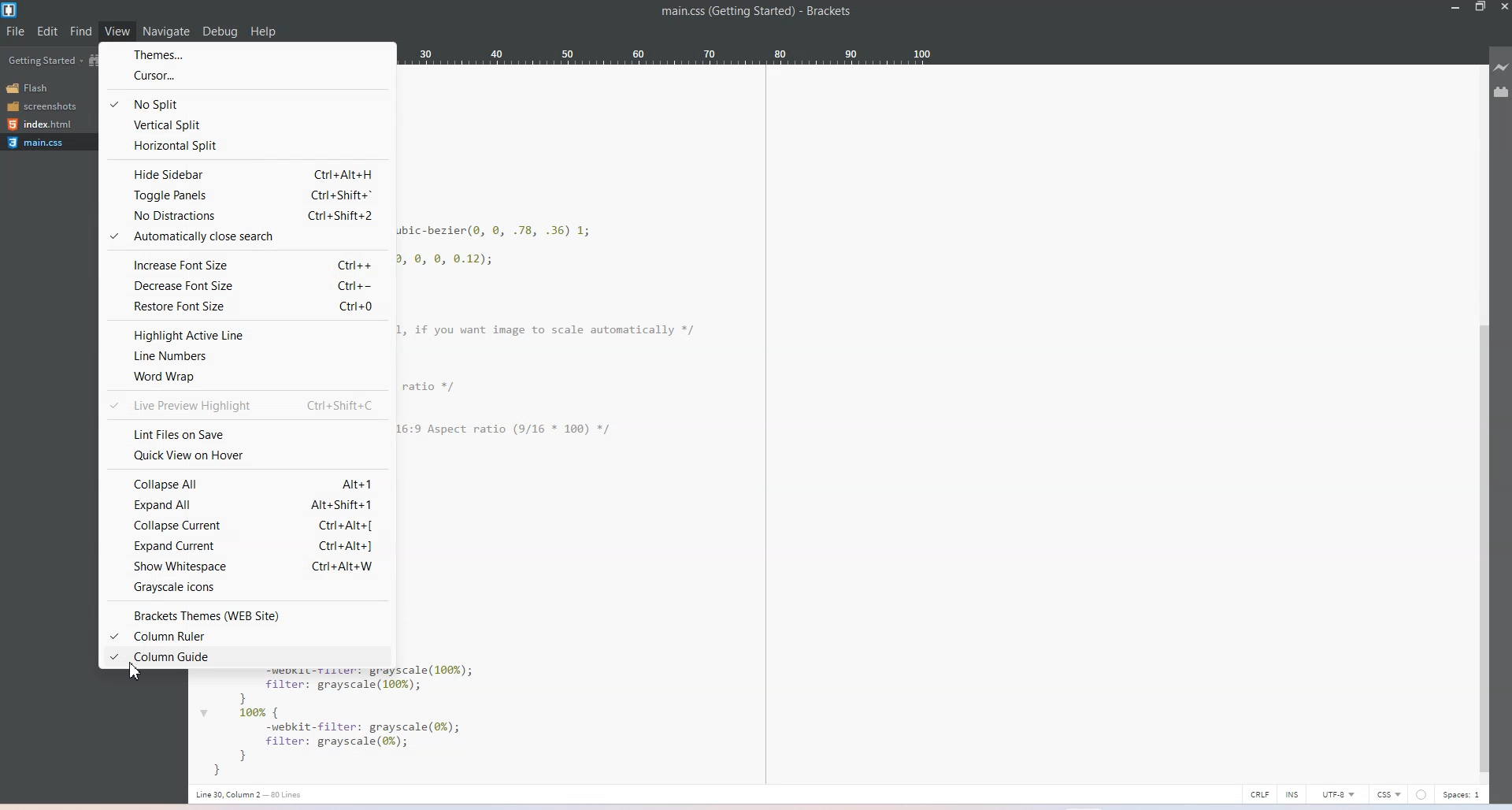 This screenshot has width=1512, height=810. I want to click on CRLF, so click(1258, 793).